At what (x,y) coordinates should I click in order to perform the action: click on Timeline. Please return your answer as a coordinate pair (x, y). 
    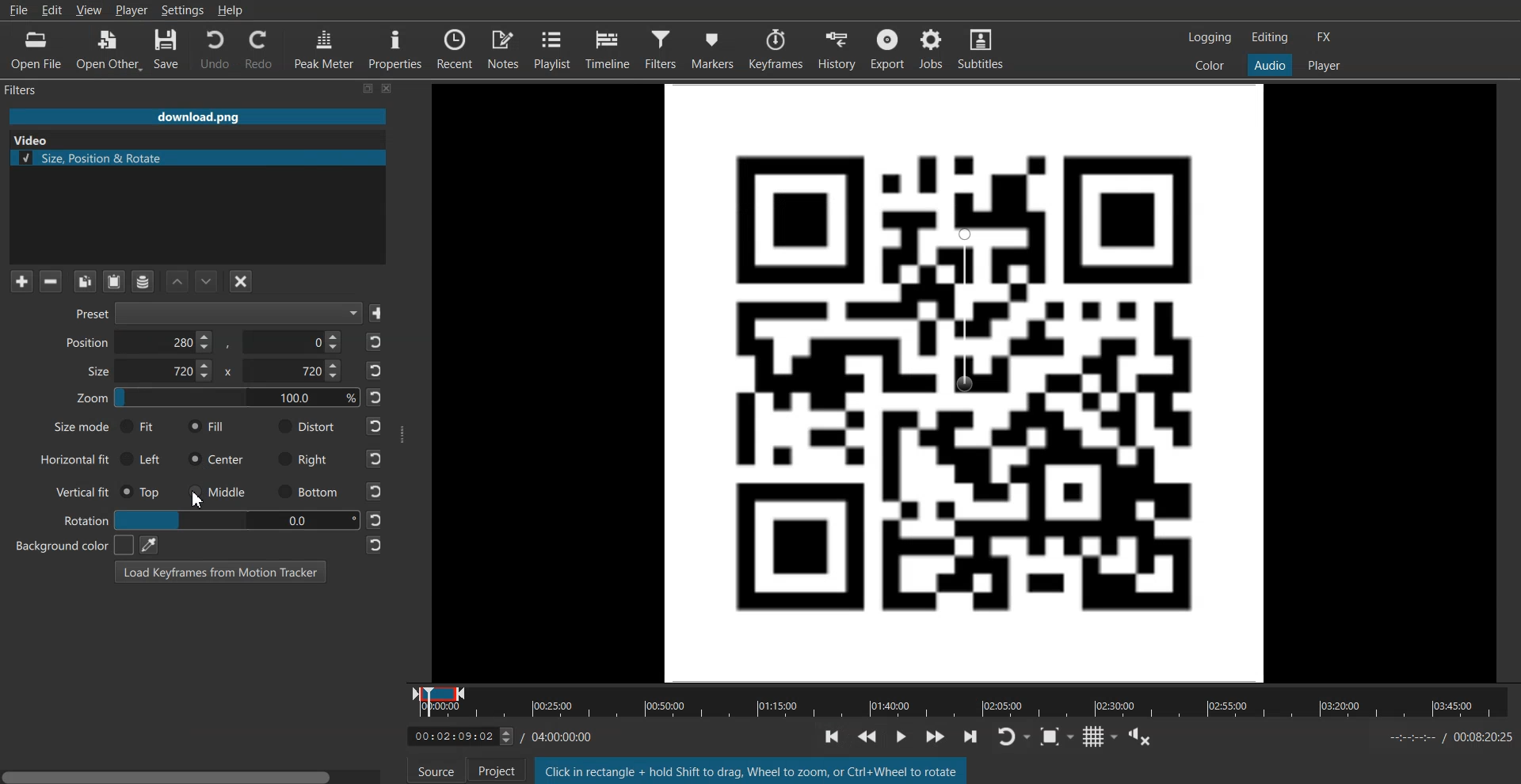
    Looking at the image, I should click on (609, 48).